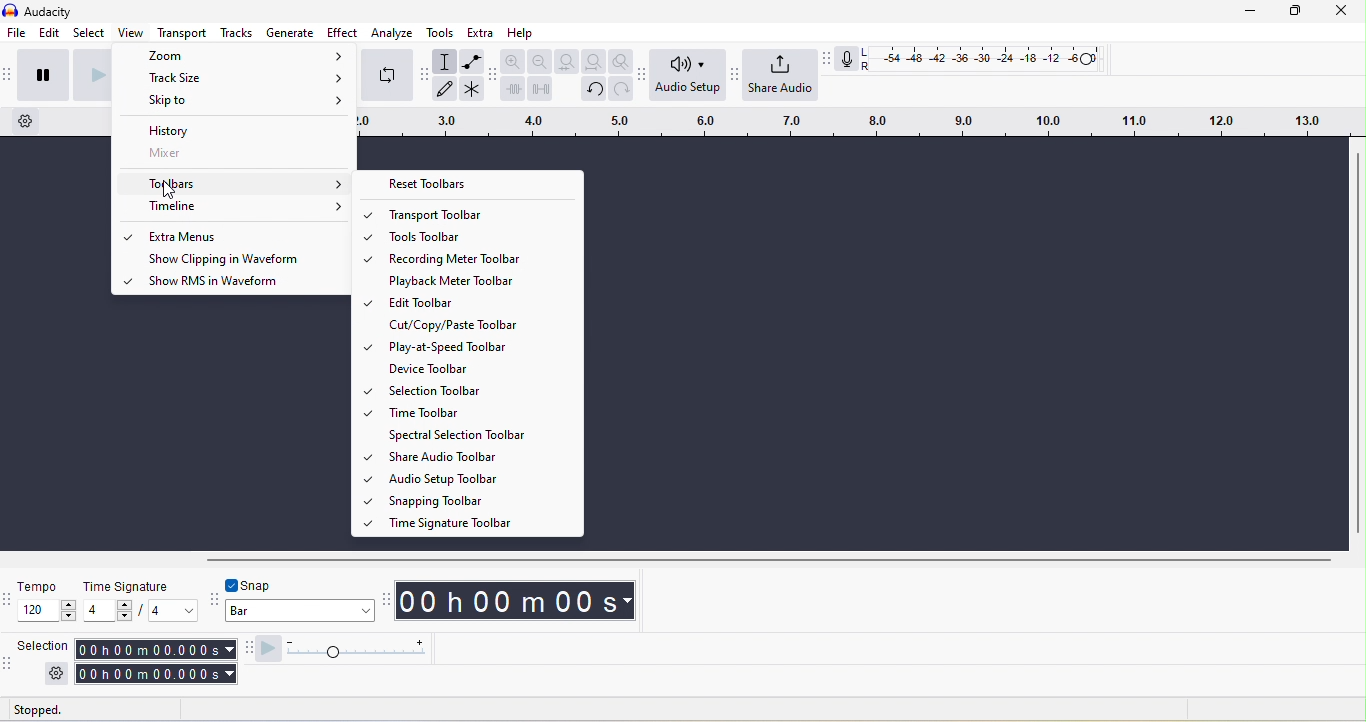 The height and width of the screenshot is (722, 1366). I want to click on Transport toolbar, so click(481, 214).